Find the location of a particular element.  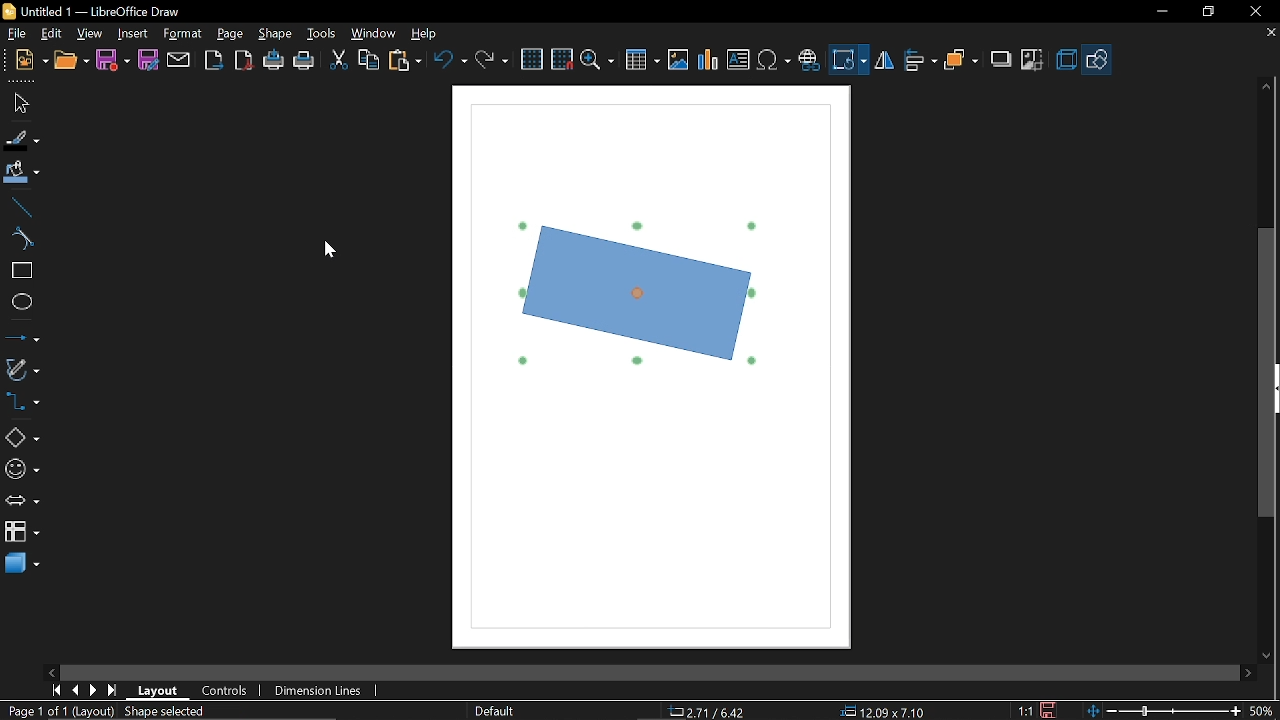

Save is located at coordinates (112, 60).